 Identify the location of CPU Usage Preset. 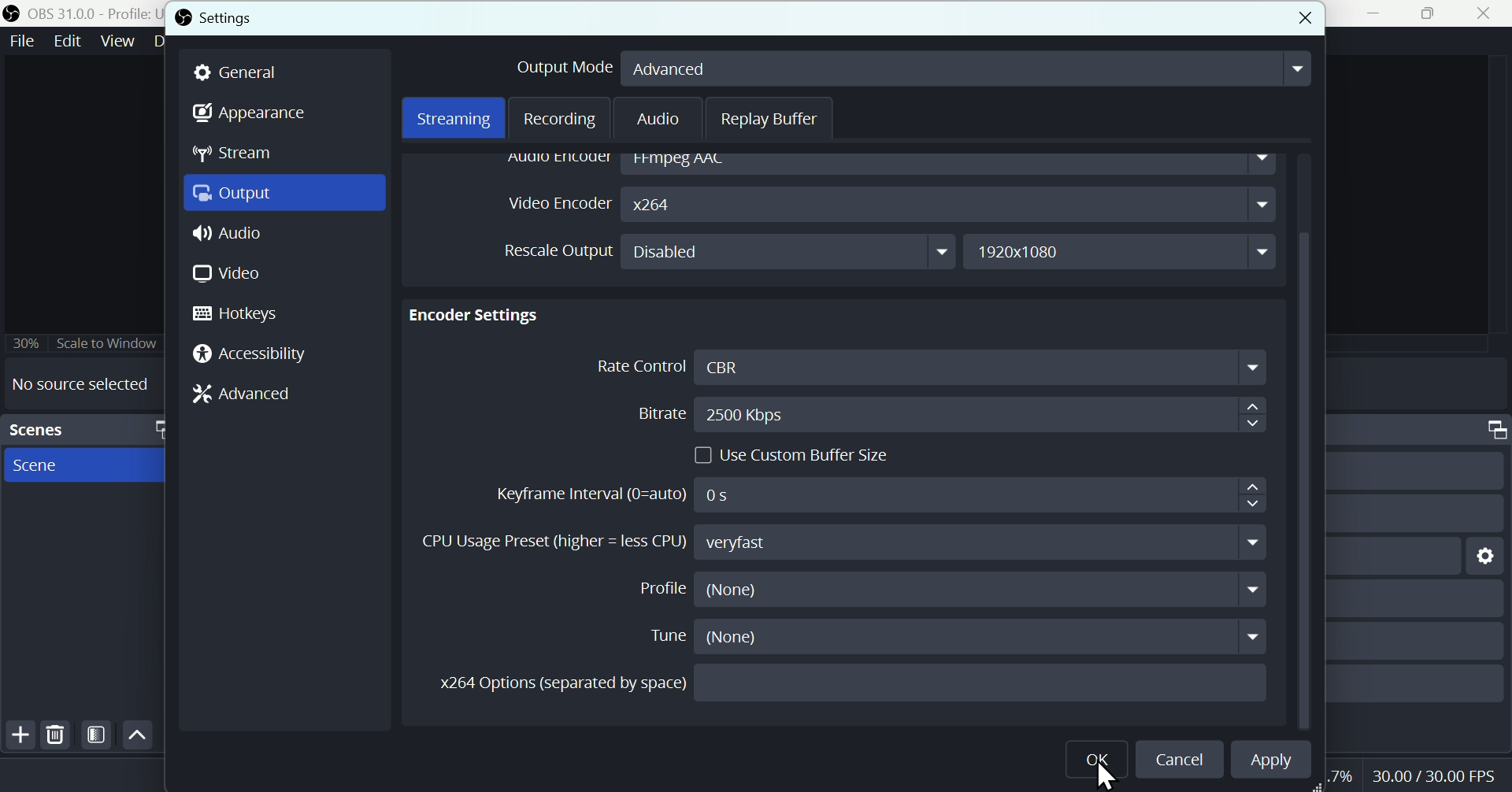
(844, 541).